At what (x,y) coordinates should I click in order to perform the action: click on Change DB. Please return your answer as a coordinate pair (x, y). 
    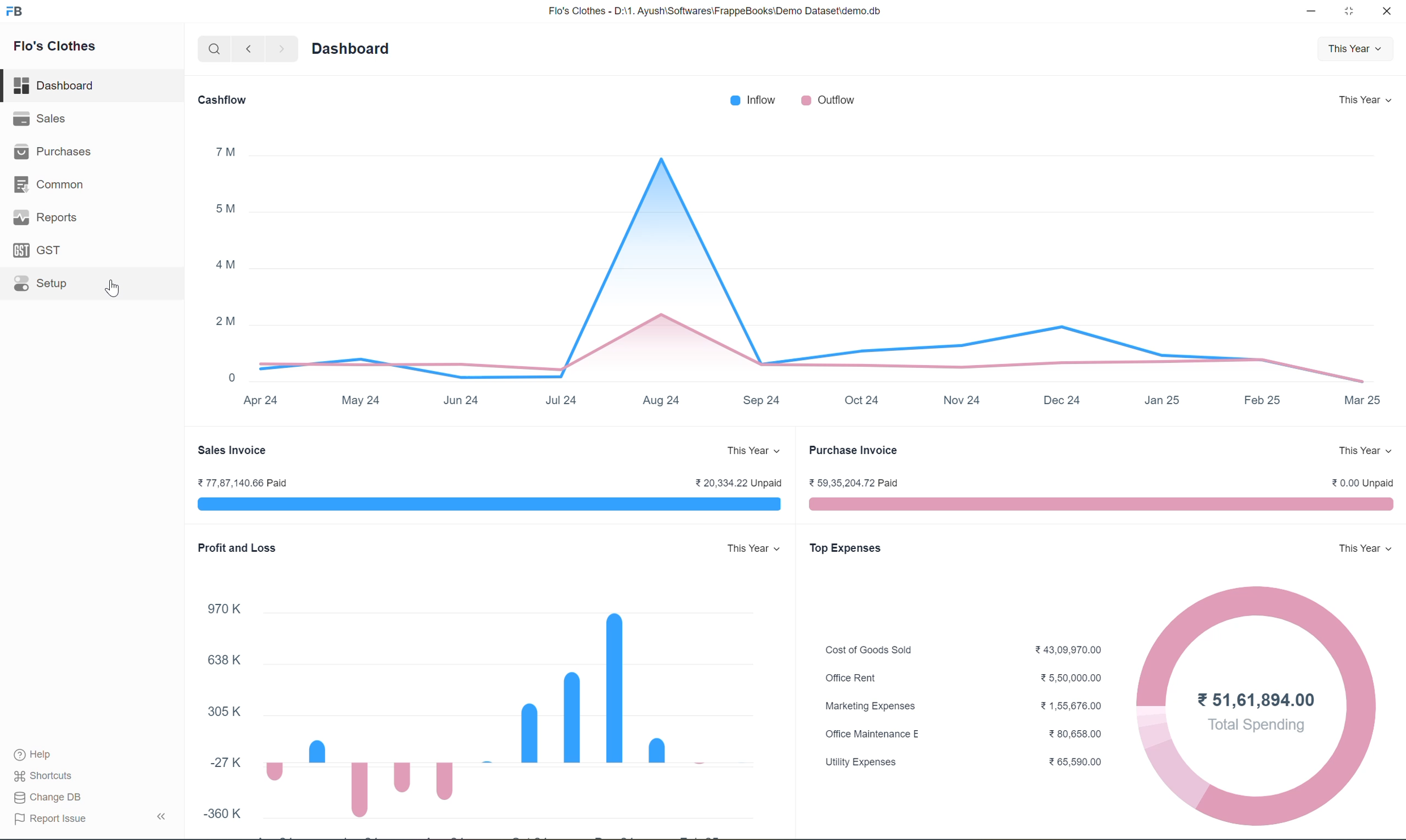
    Looking at the image, I should click on (48, 797).